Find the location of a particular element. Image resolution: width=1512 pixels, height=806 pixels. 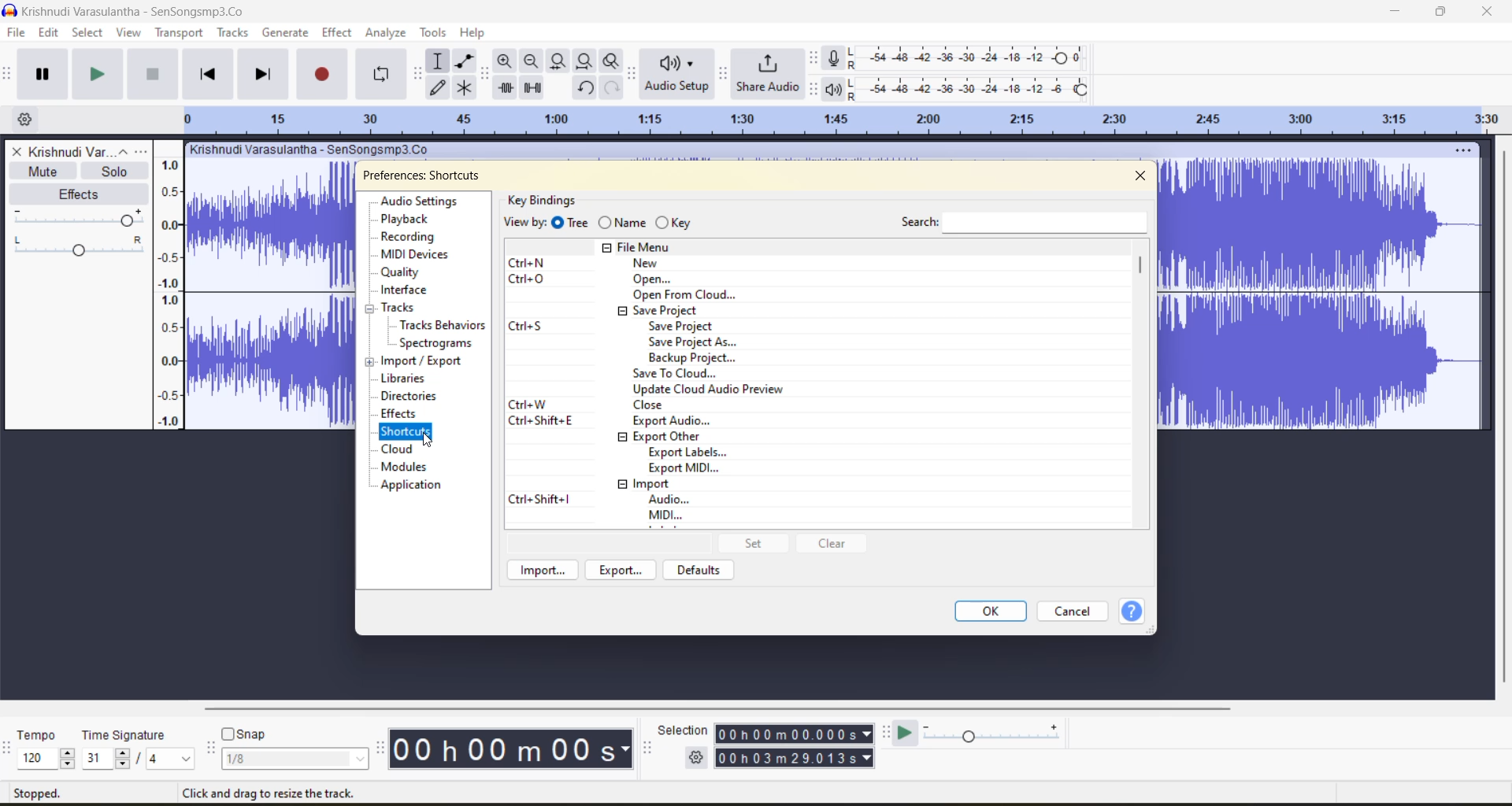

recording level is located at coordinates (968, 58).